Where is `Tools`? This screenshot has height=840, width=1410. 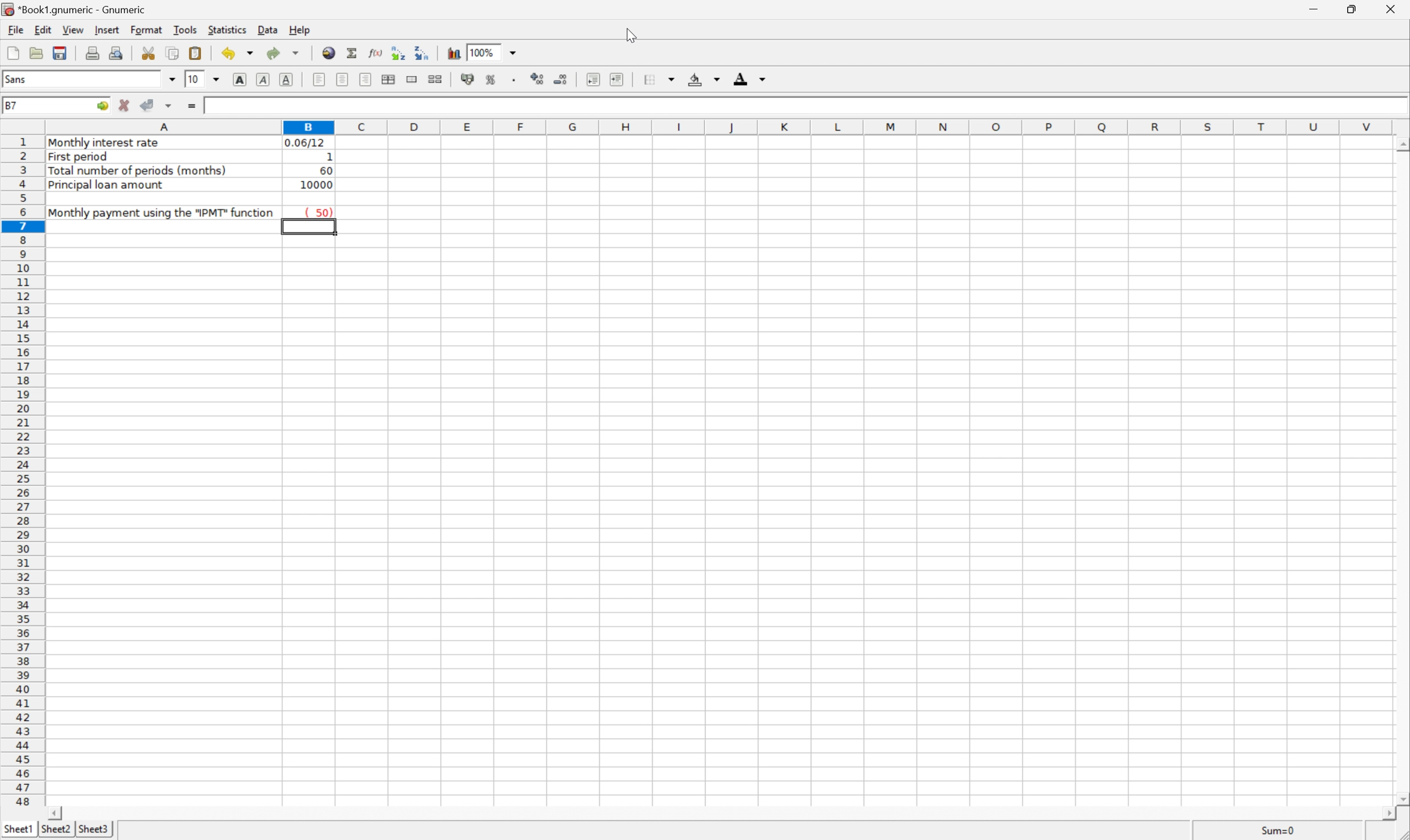 Tools is located at coordinates (188, 30).